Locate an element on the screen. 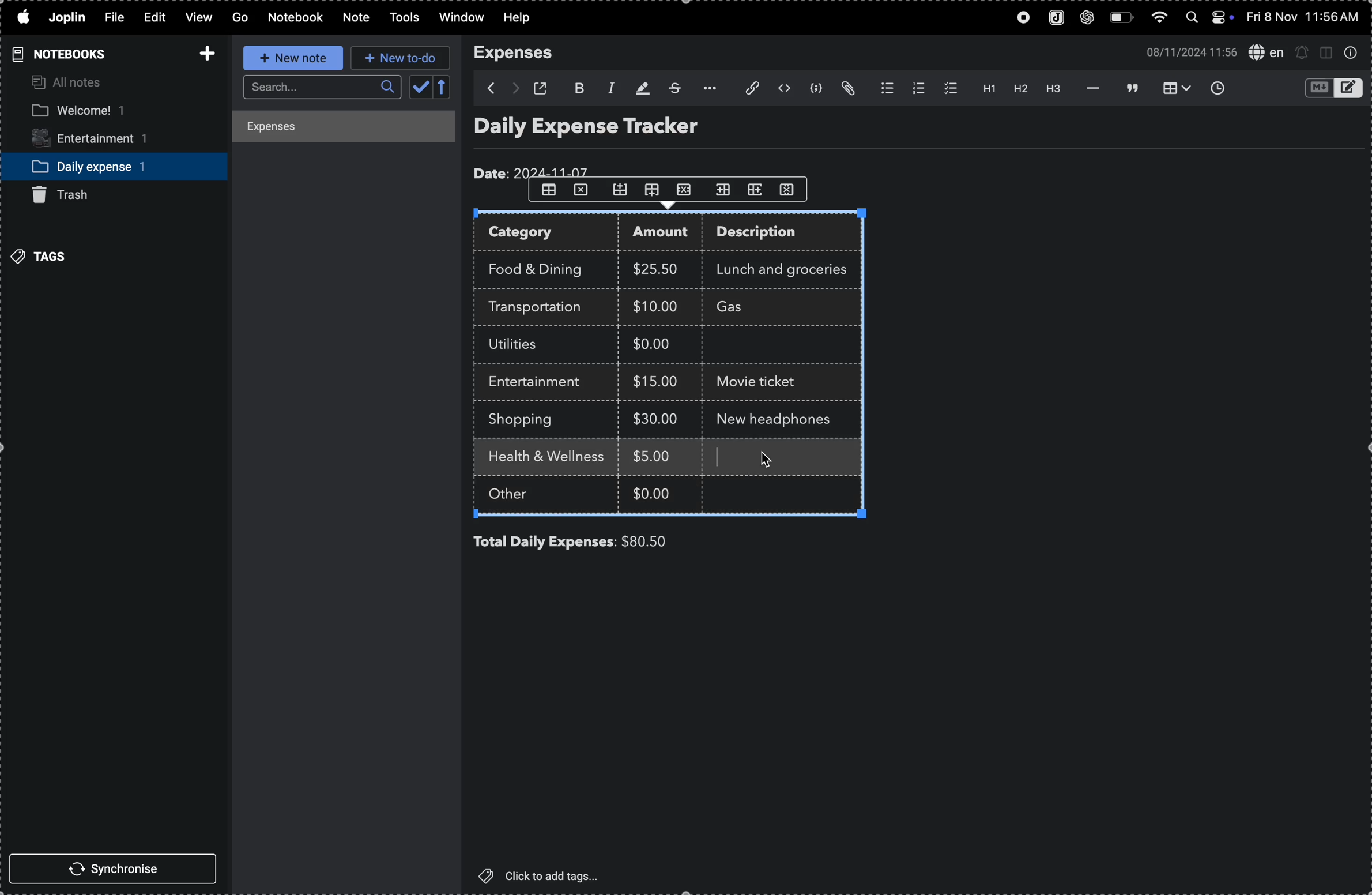 The image size is (1372, 895). joplin is located at coordinates (1053, 18).